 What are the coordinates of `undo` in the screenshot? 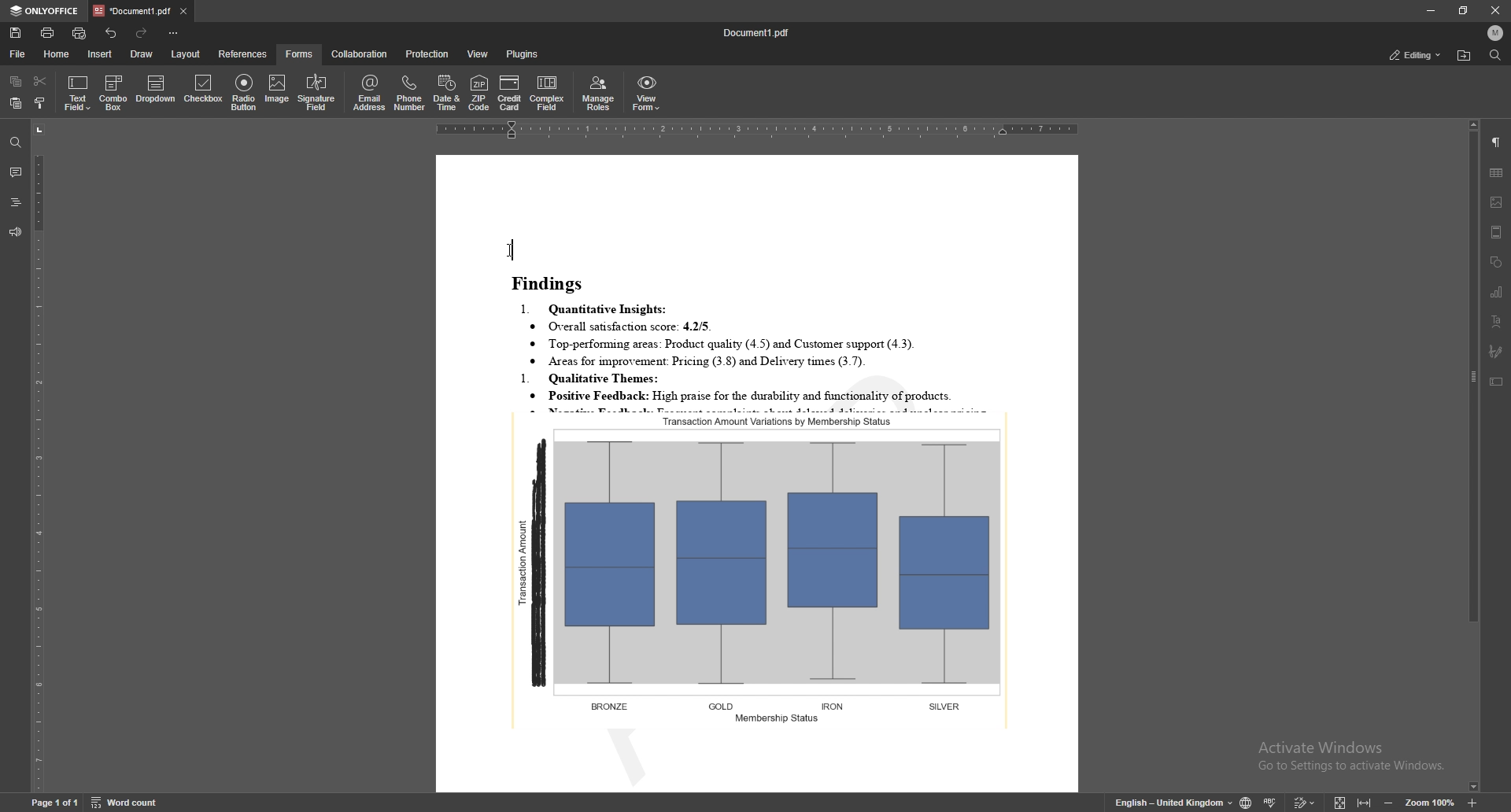 It's located at (111, 34).